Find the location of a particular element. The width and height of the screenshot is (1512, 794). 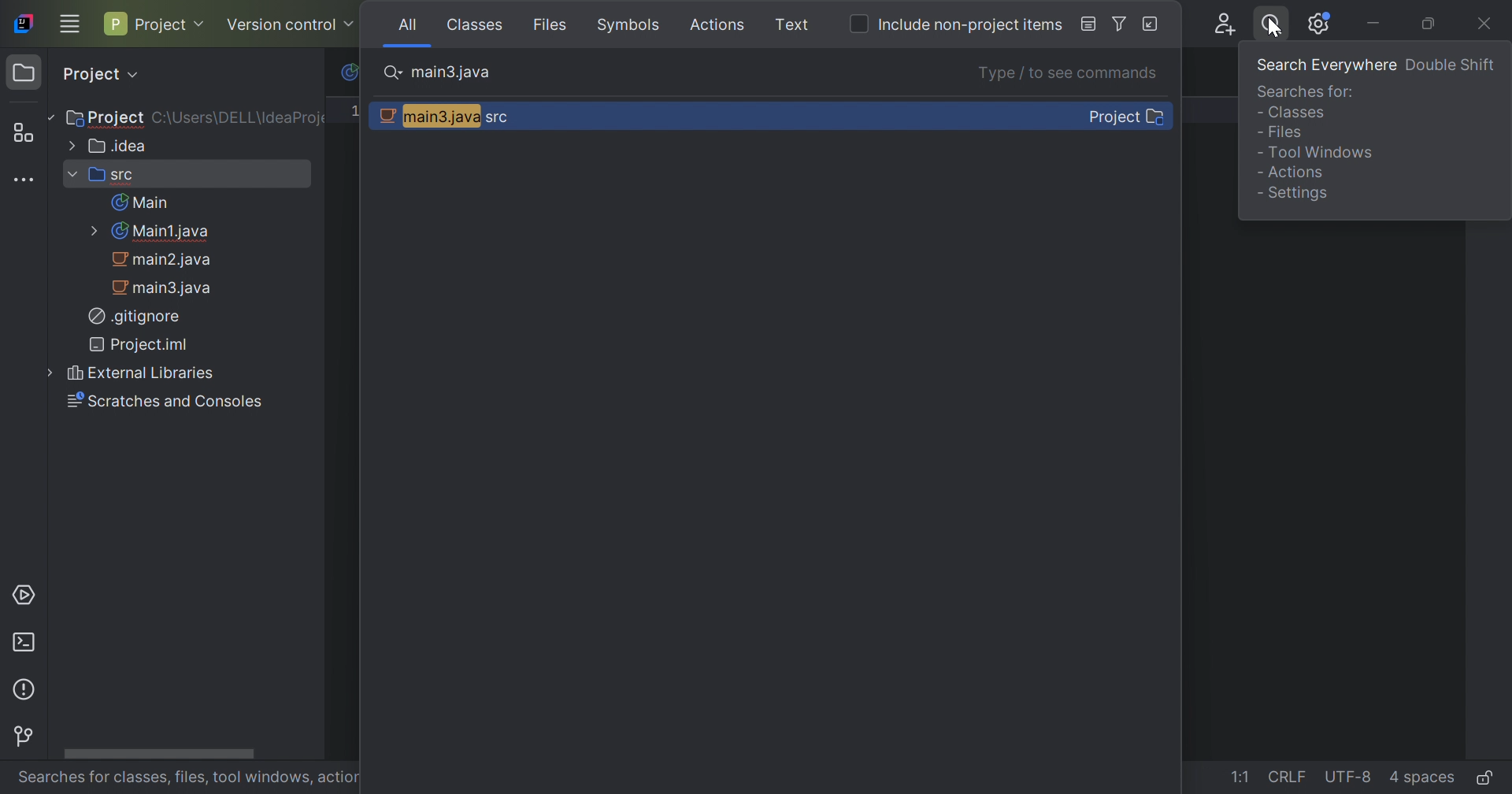

Files is located at coordinates (554, 27).